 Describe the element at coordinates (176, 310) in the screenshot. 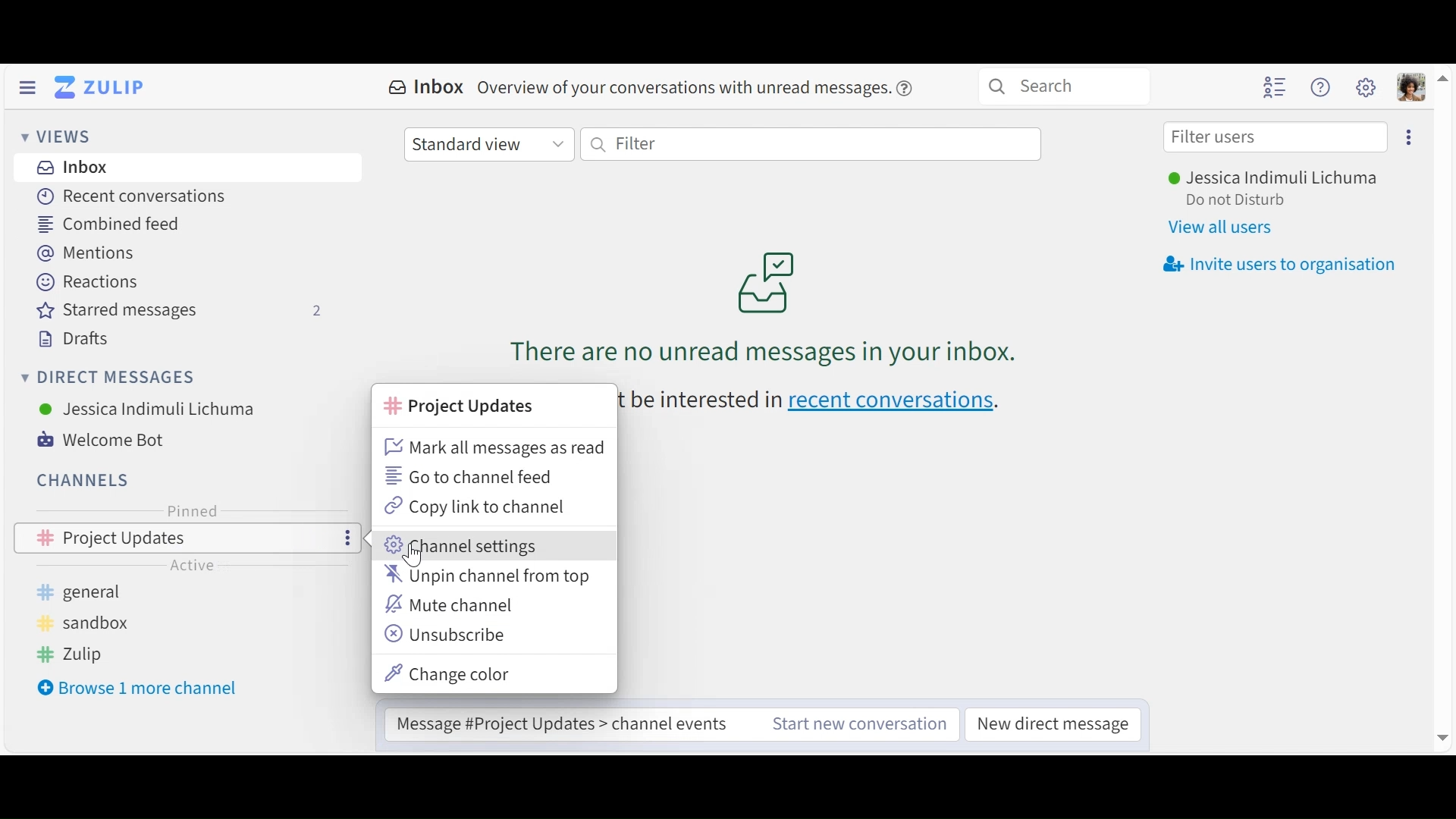

I see `Starred messages` at that location.